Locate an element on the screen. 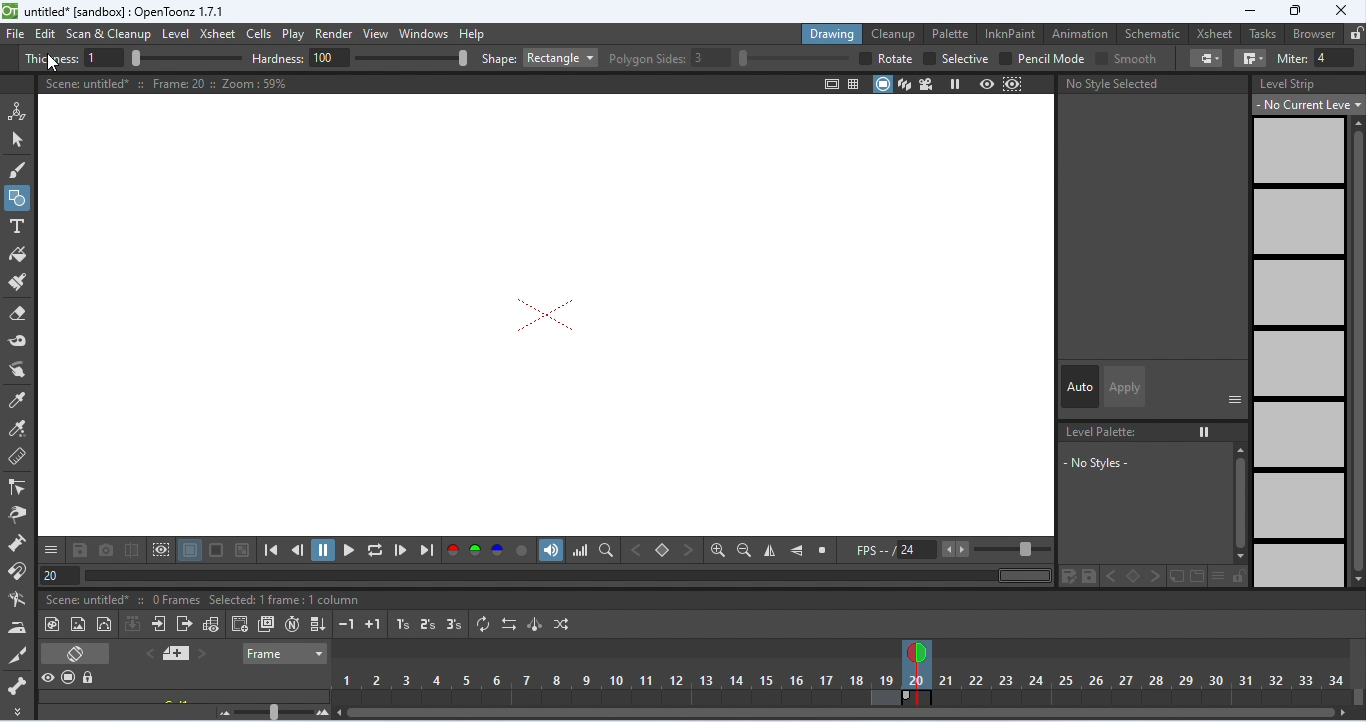 This screenshot has width=1366, height=722. decrease step is located at coordinates (345, 624).